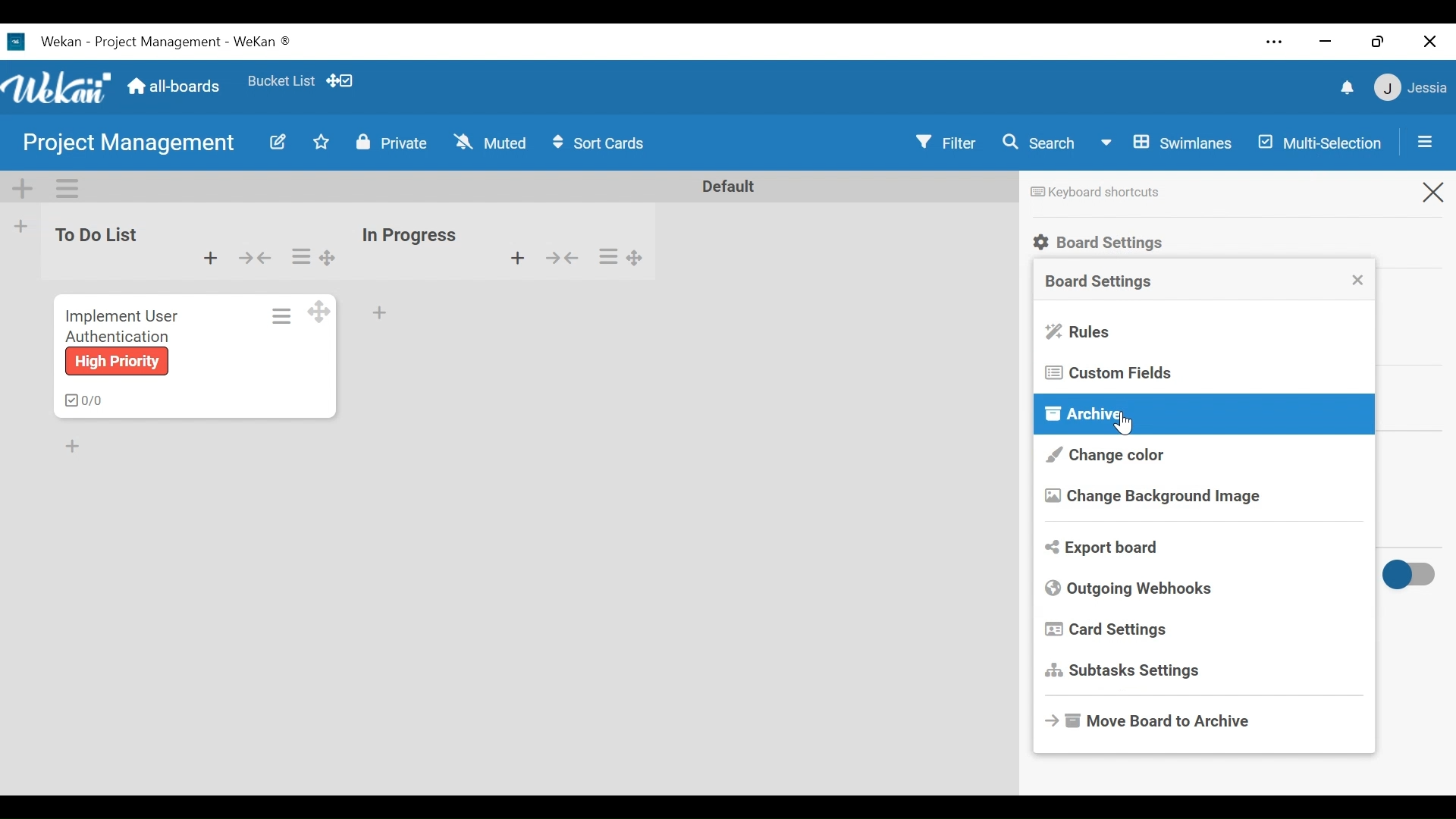 This screenshot has height=819, width=1456. What do you see at coordinates (378, 310) in the screenshot?
I see `Add card Bottom of the list` at bounding box center [378, 310].